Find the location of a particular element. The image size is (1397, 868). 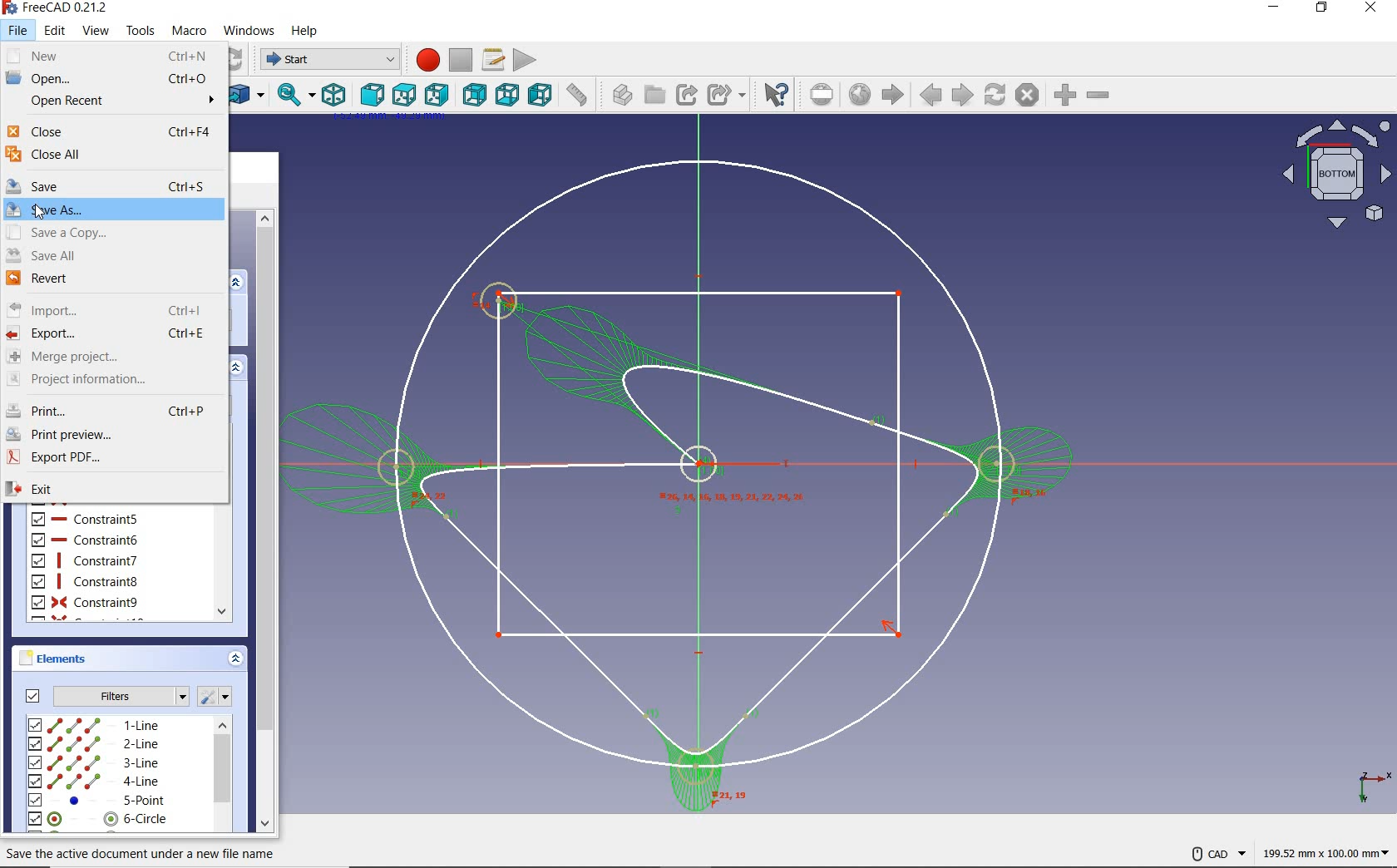

2-line is located at coordinates (94, 744).